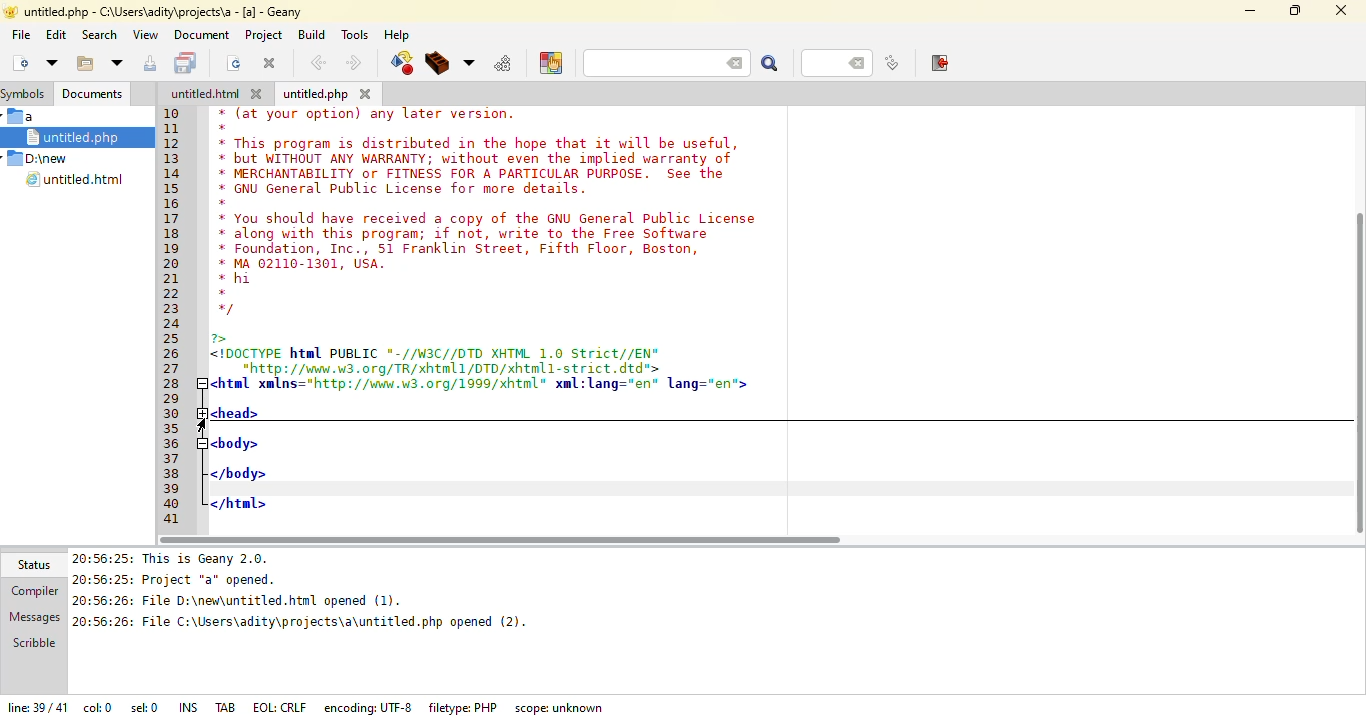 The image size is (1366, 720). I want to click on document, so click(201, 34).